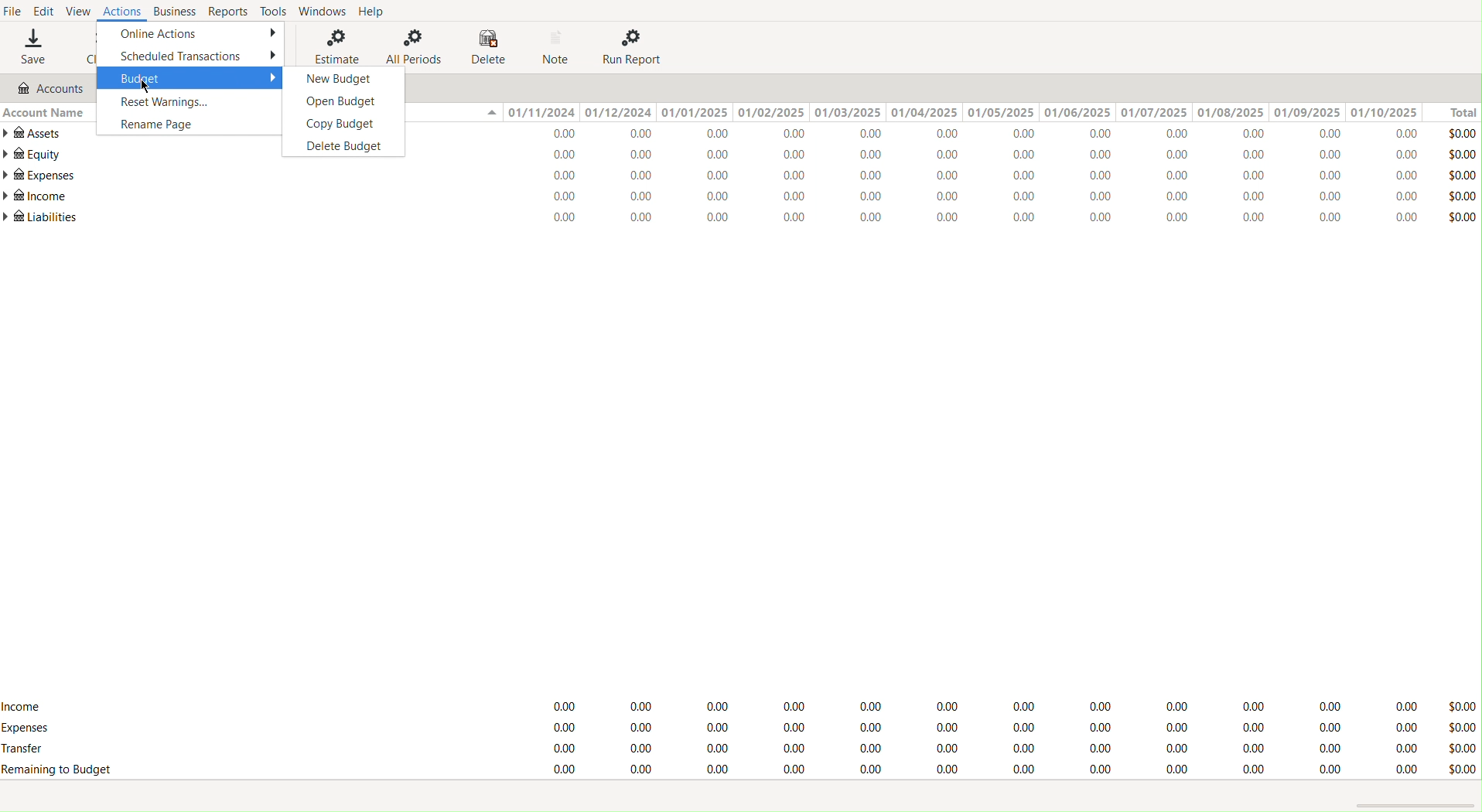  I want to click on Delete Budget, so click(345, 147).